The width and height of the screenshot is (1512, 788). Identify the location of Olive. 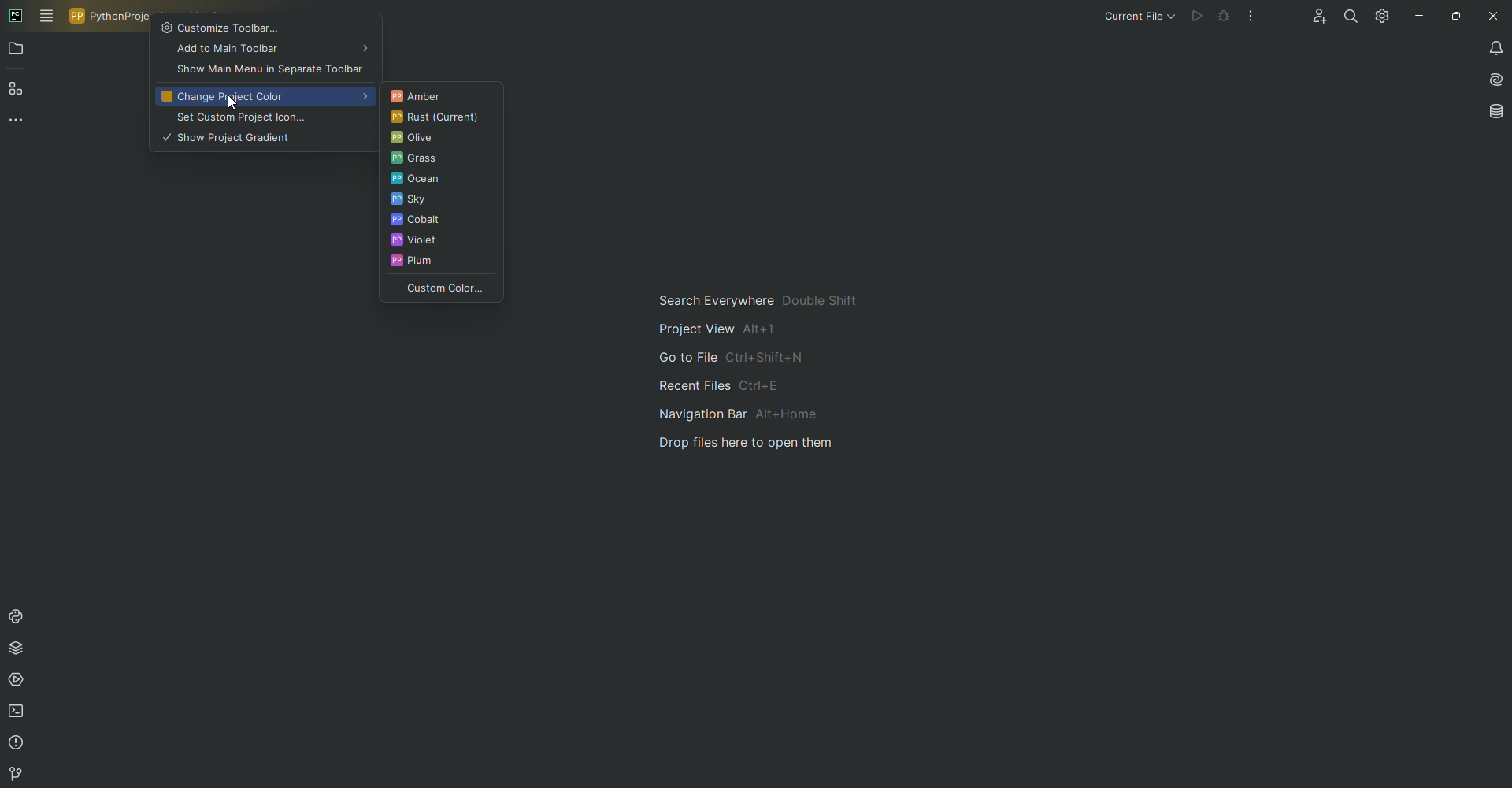
(439, 139).